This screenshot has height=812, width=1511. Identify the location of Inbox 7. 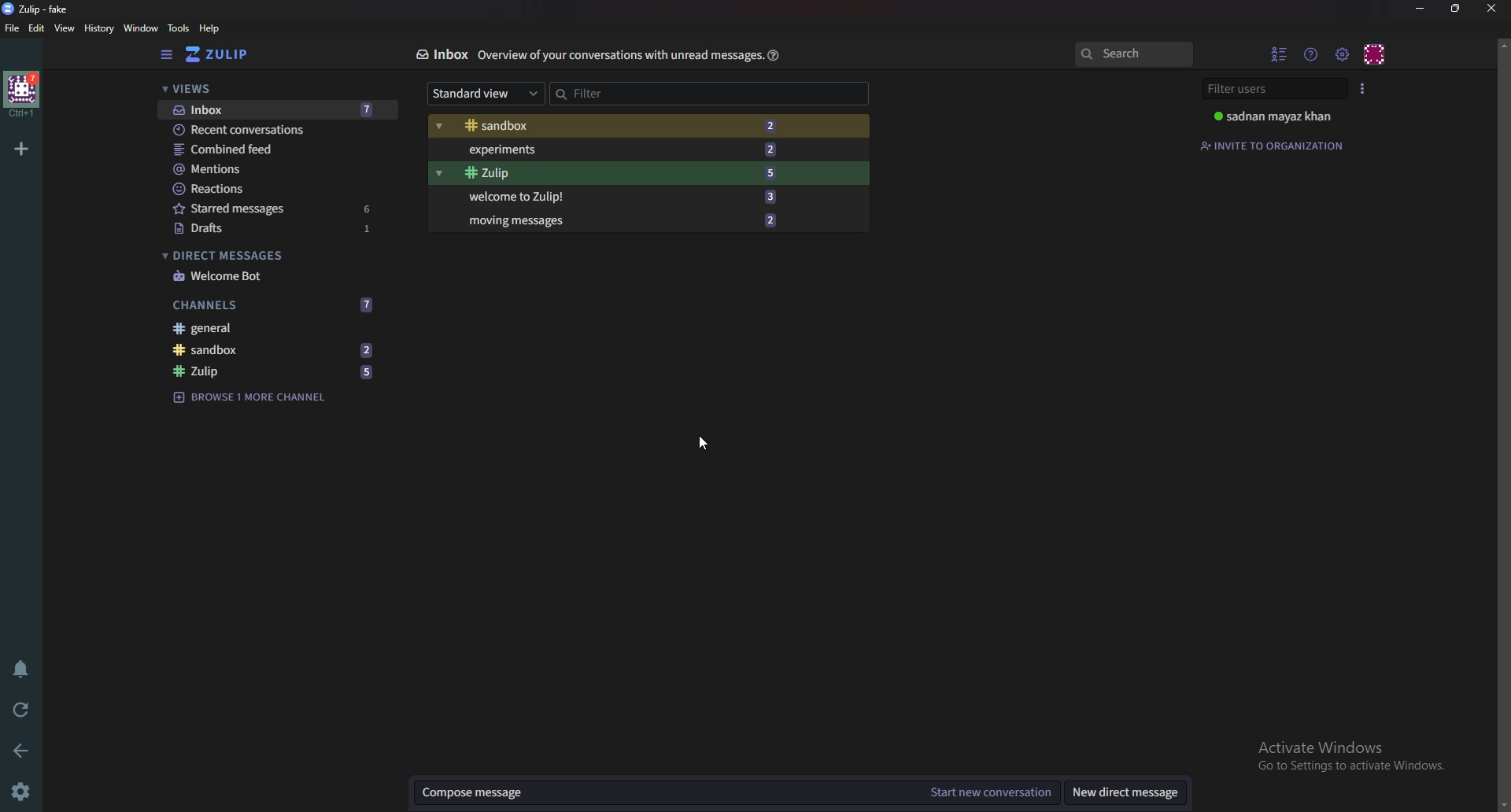
(277, 111).